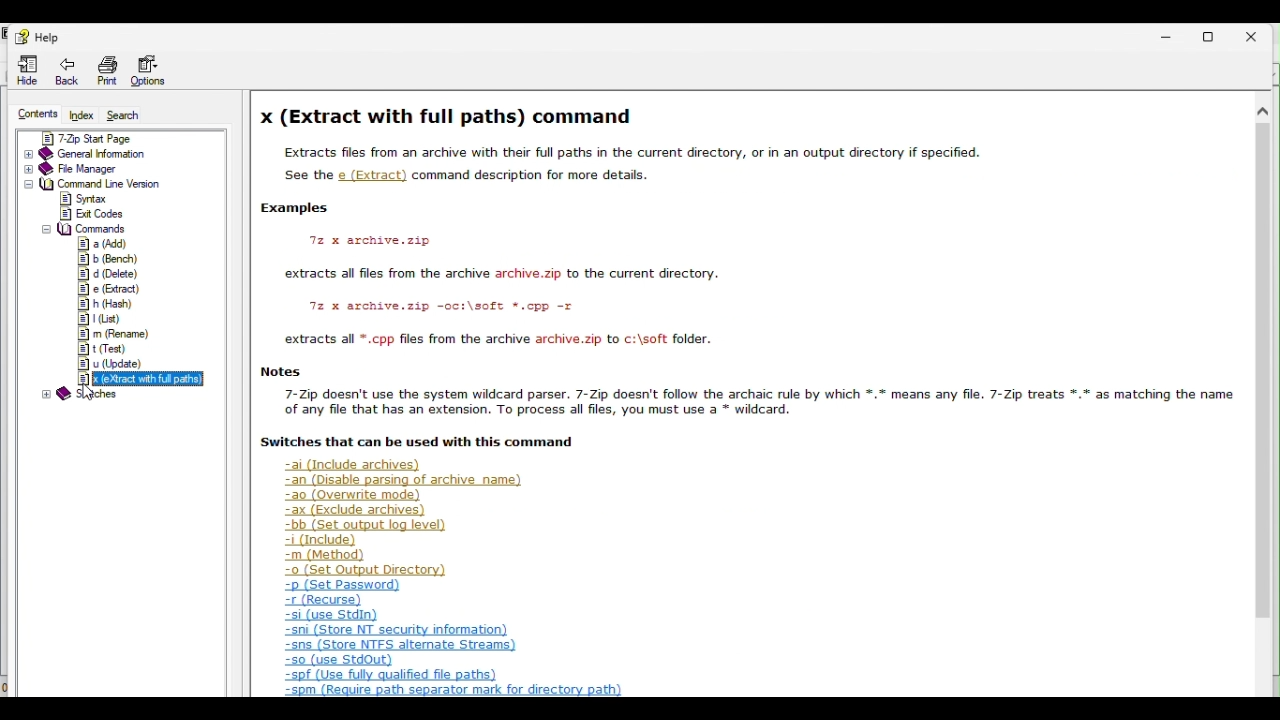  Describe the element at coordinates (96, 228) in the screenshot. I see `Commands` at that location.